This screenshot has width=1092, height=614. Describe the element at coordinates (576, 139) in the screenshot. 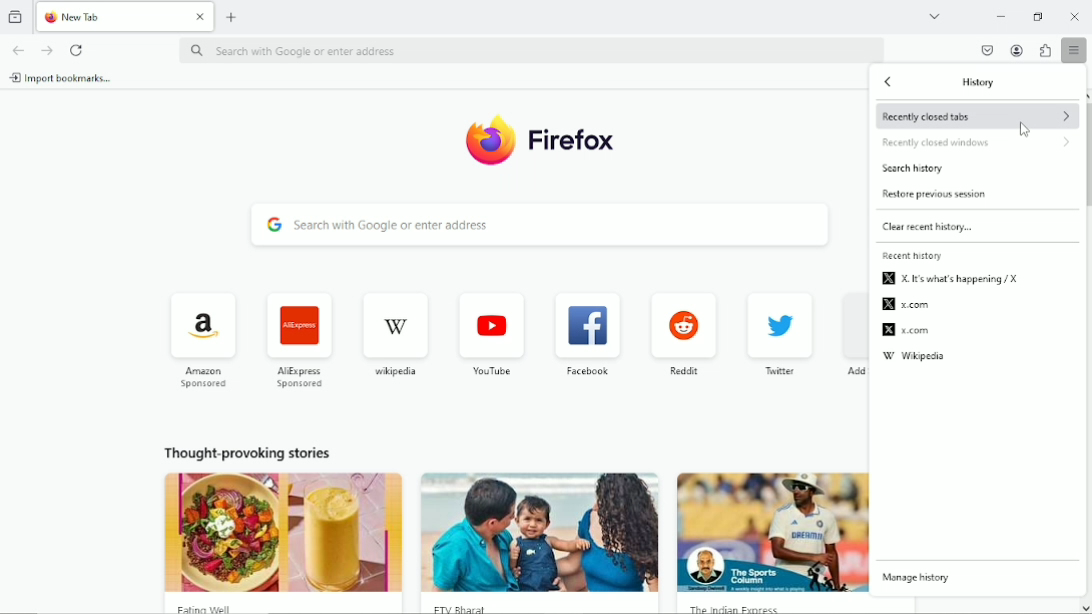

I see `Firefox` at that location.